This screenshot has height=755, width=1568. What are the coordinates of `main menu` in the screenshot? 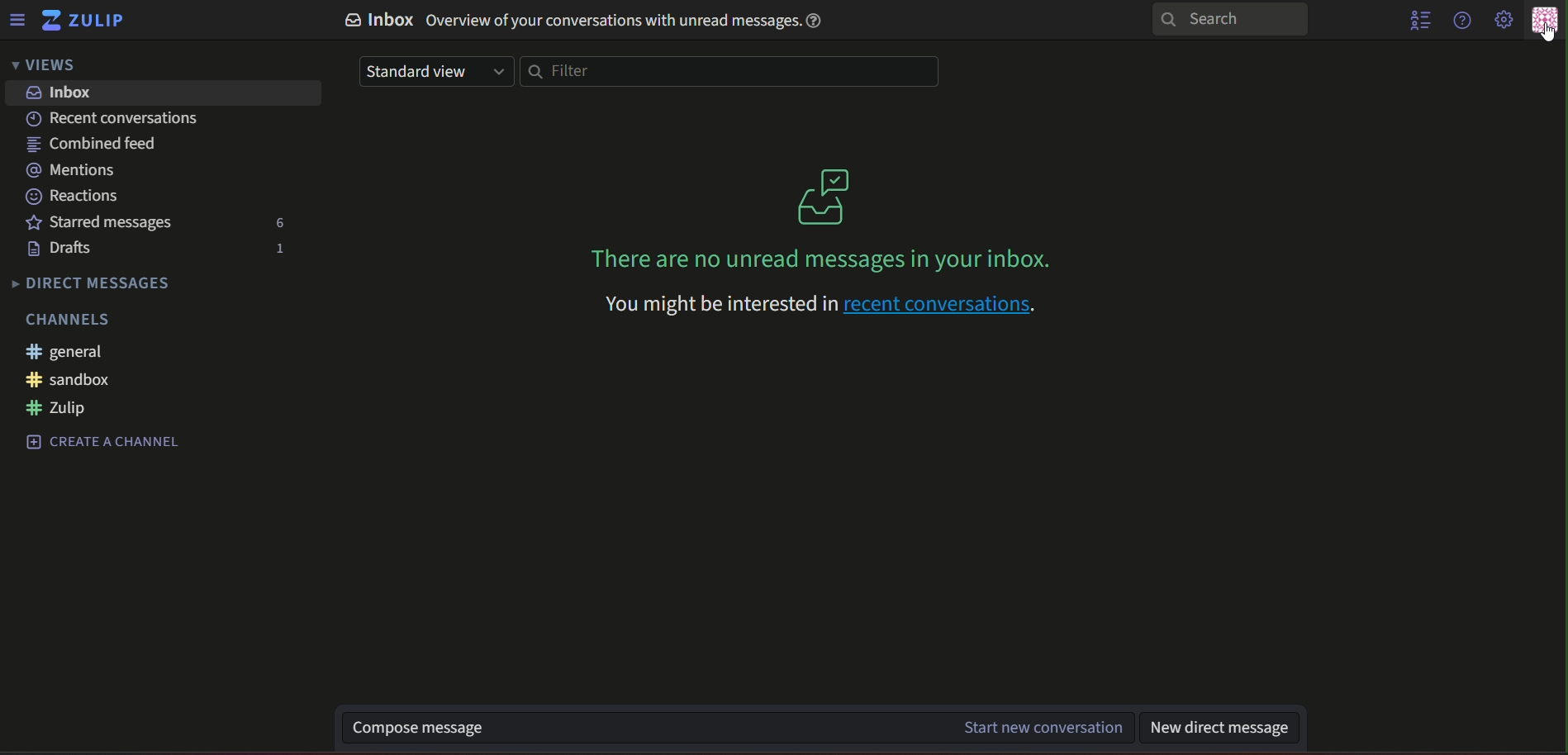 It's located at (1503, 21).